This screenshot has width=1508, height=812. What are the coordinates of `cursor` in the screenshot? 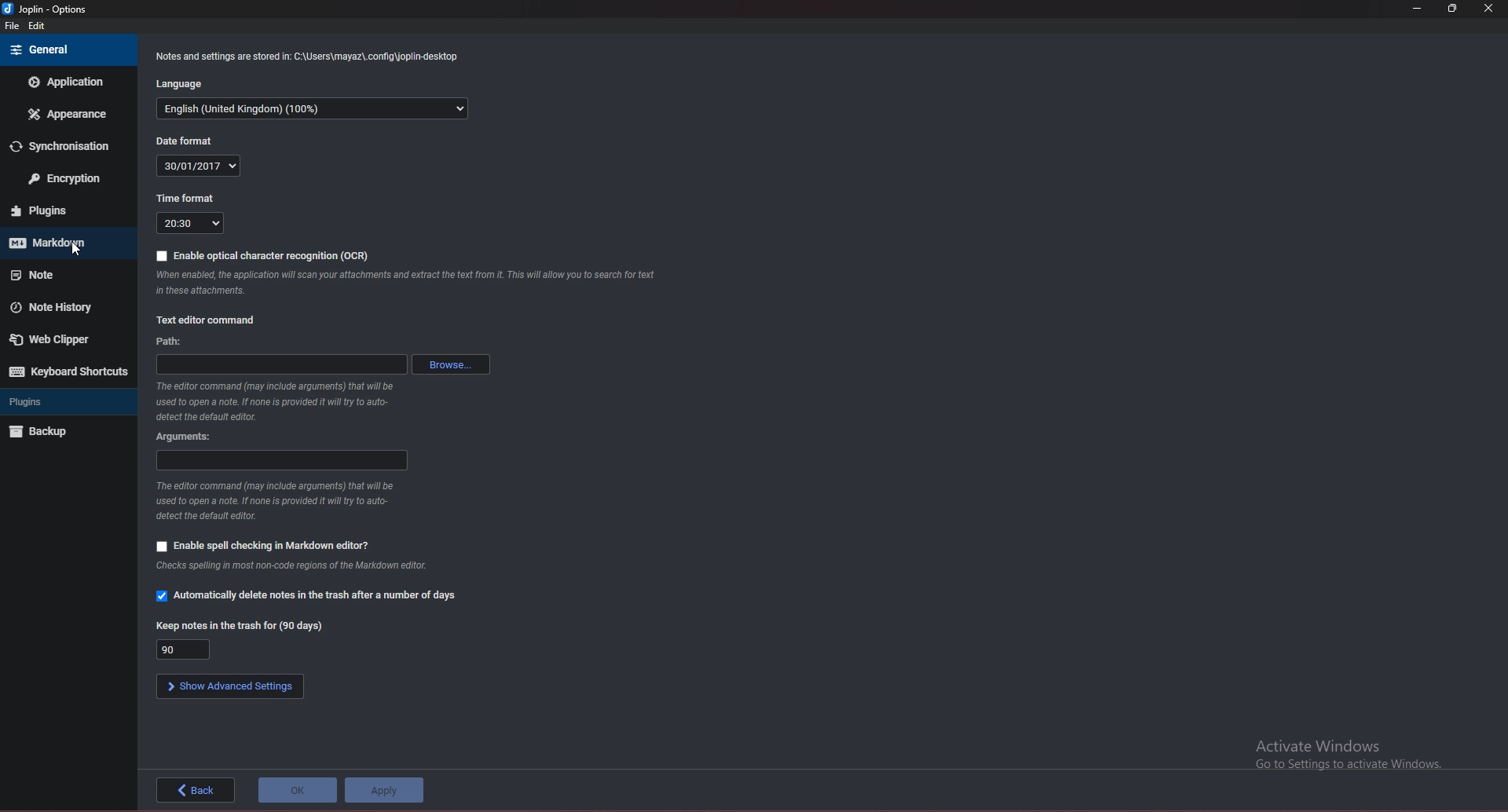 It's located at (75, 251).